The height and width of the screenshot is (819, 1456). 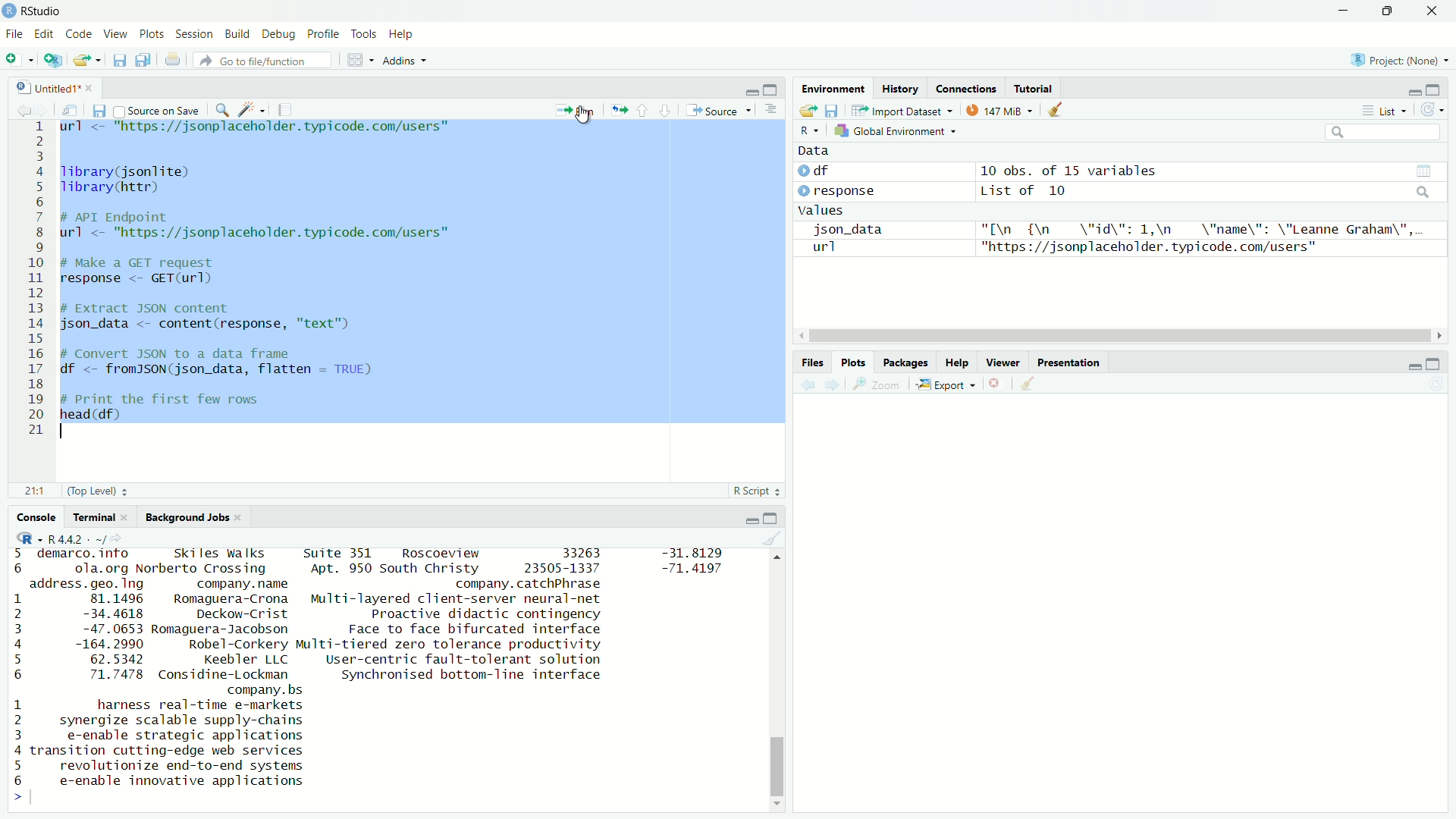 I want to click on Tutorial, so click(x=1034, y=88).